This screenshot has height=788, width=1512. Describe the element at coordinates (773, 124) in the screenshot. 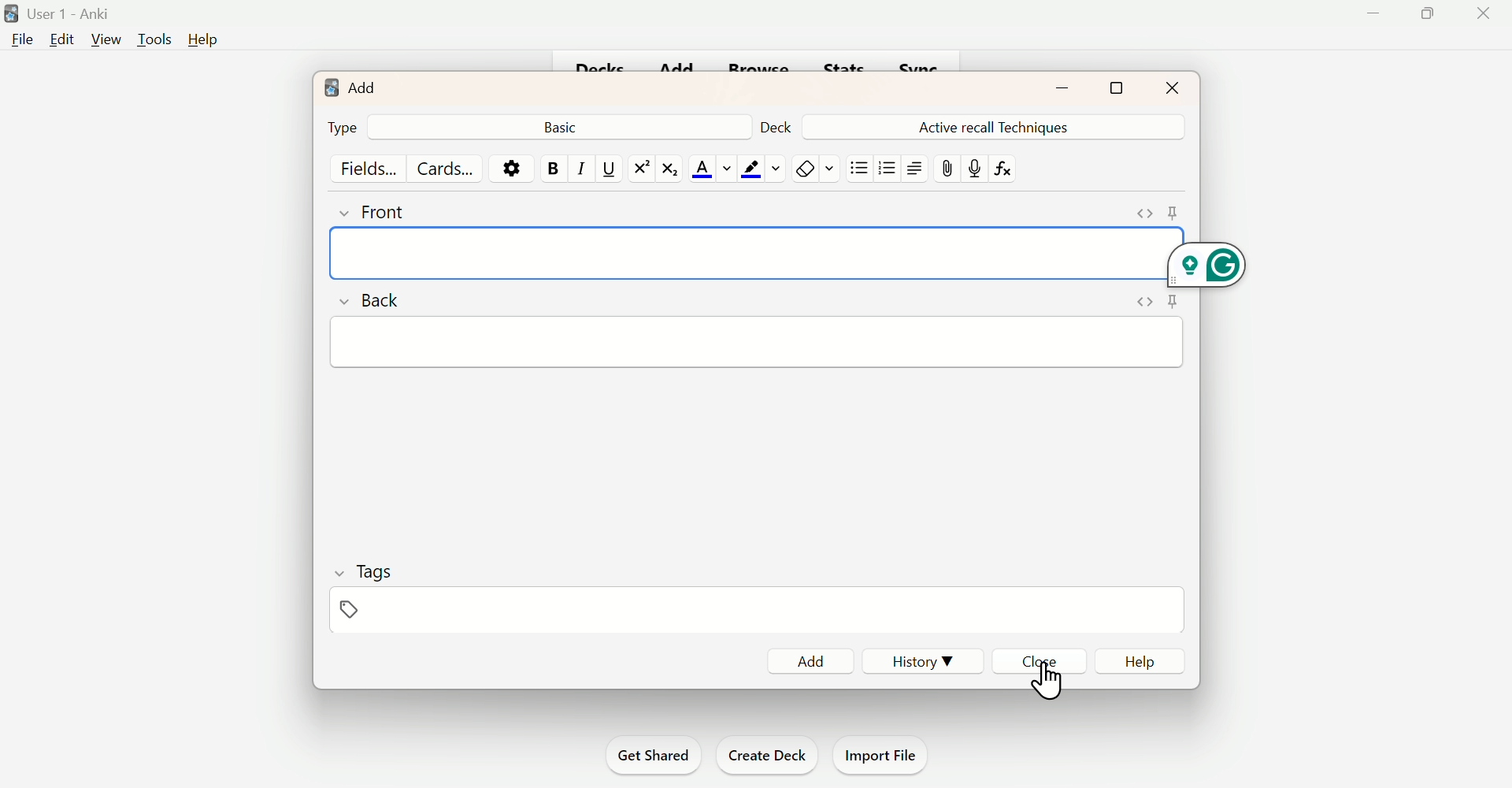

I see `Deck` at that location.